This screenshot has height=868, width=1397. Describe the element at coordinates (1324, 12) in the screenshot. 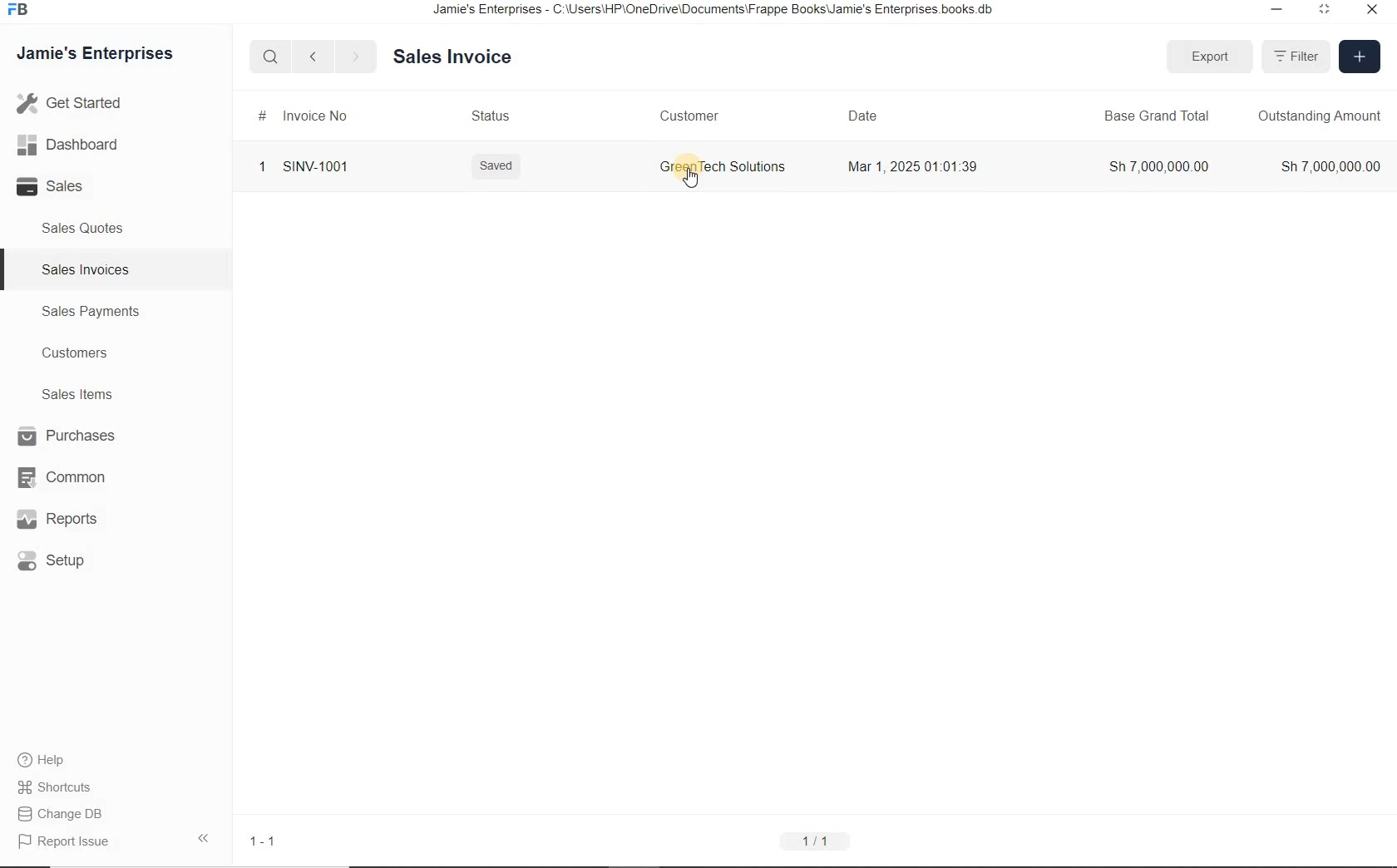

I see `minimize` at that location.